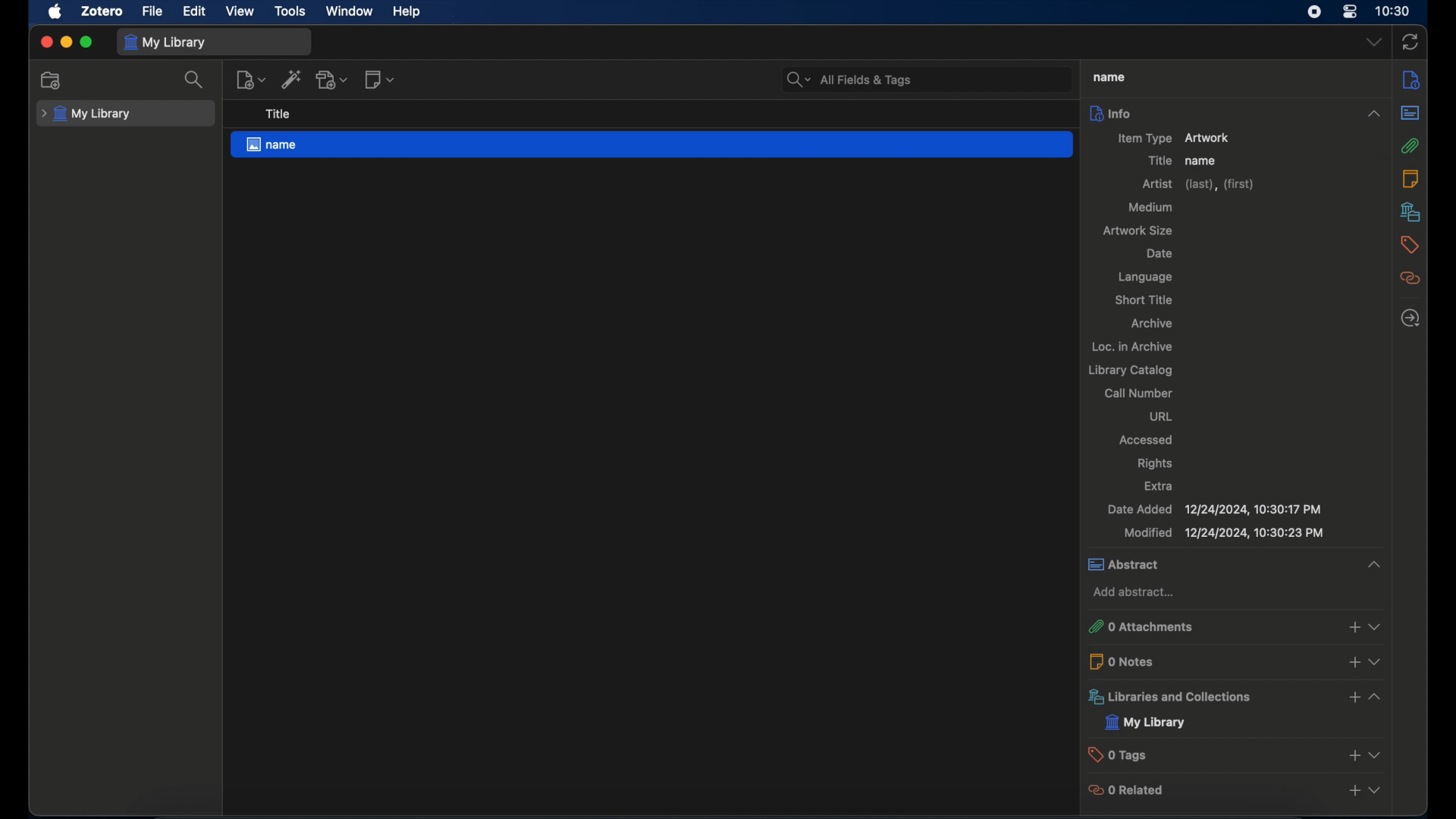  Describe the element at coordinates (1129, 371) in the screenshot. I see `library catalog` at that location.